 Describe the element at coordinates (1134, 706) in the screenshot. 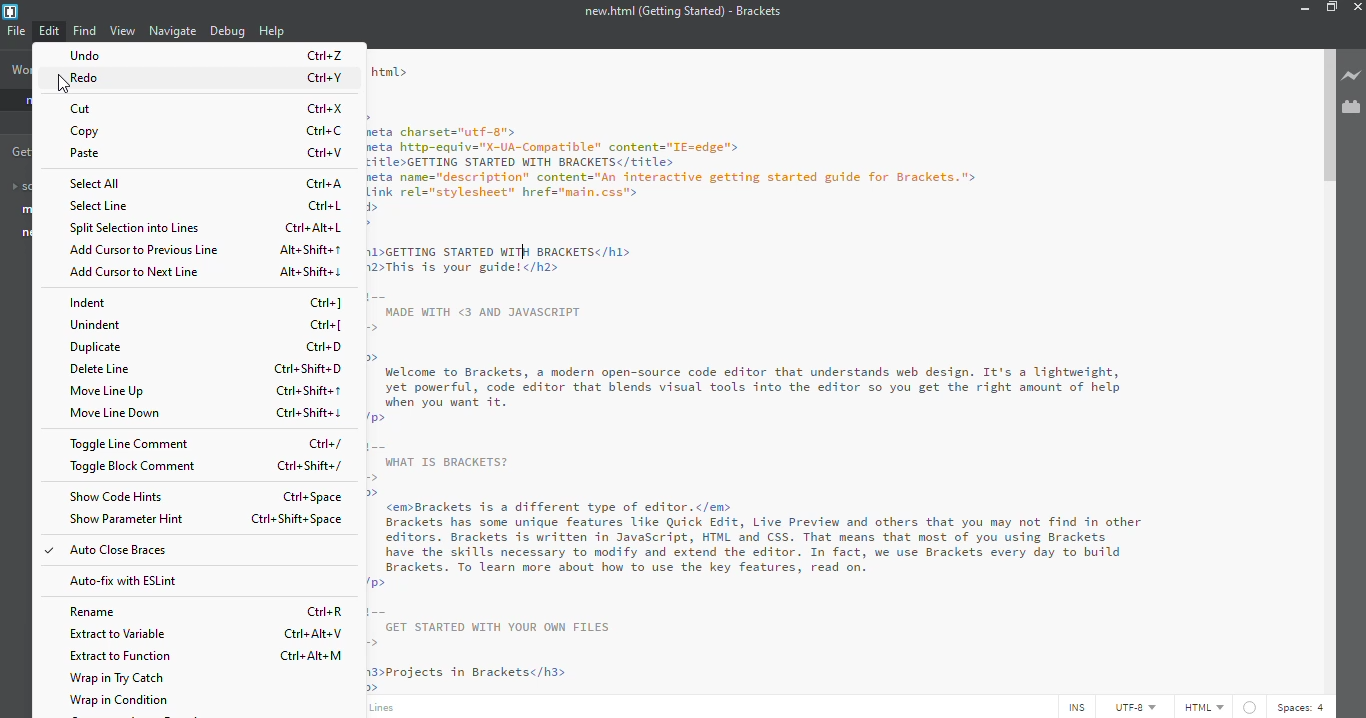

I see `utf` at that location.